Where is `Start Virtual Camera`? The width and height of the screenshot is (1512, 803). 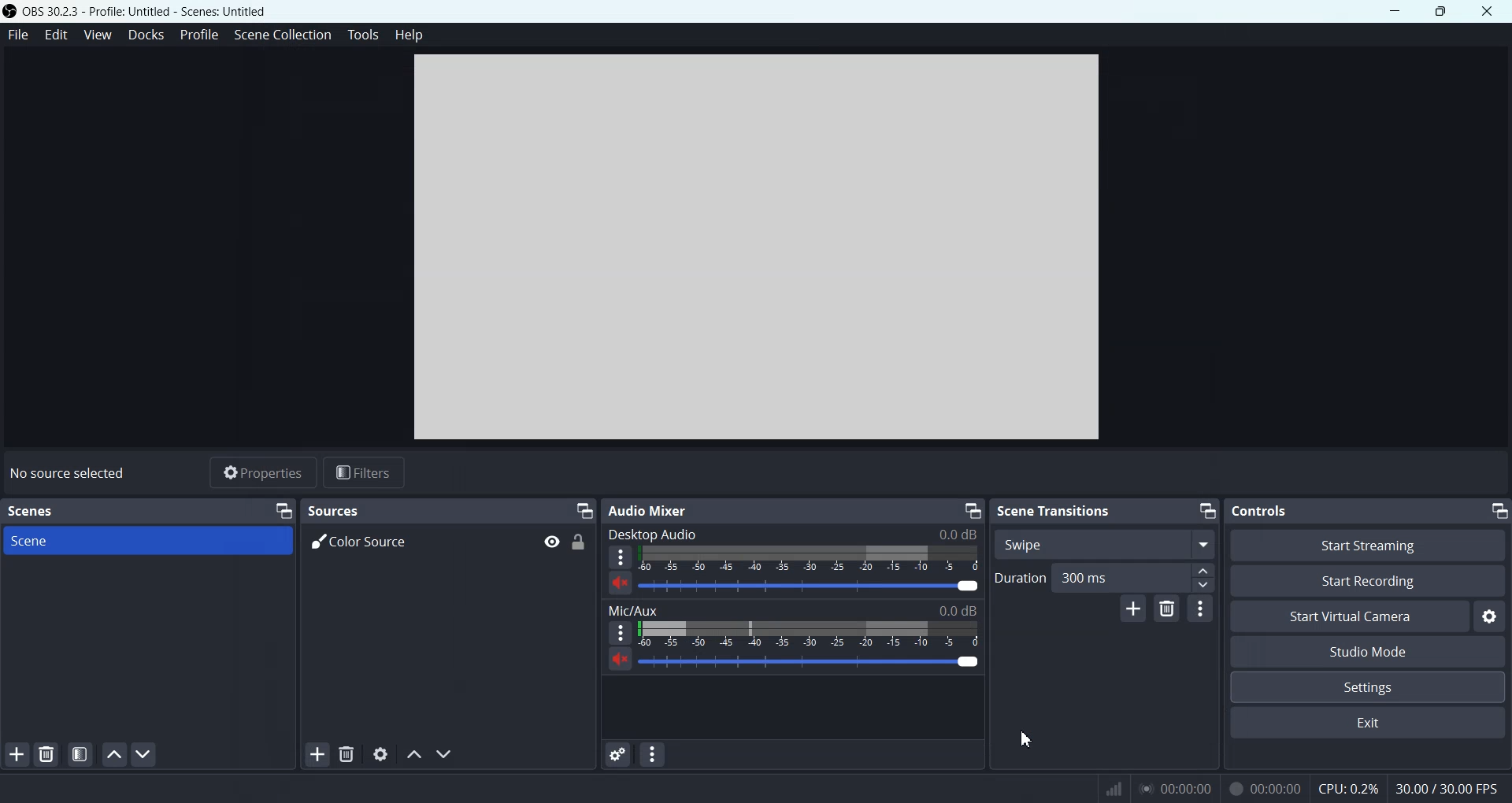
Start Virtual Camera is located at coordinates (1348, 616).